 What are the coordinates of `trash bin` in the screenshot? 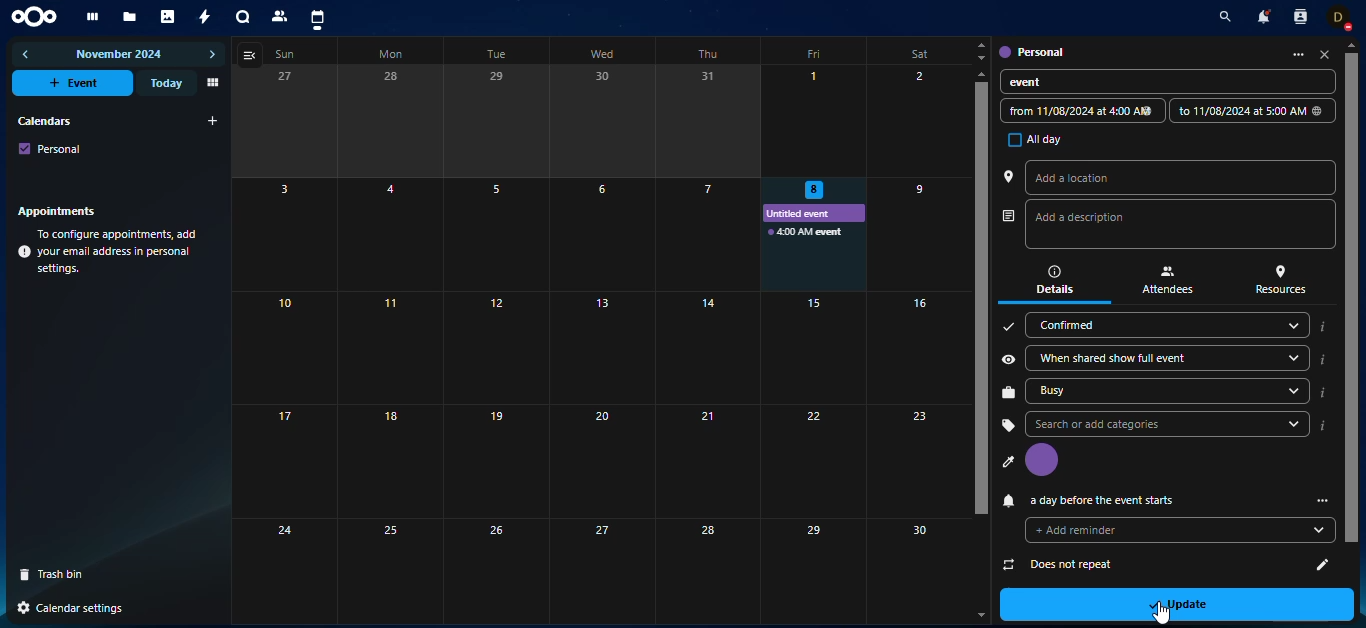 It's located at (59, 574).